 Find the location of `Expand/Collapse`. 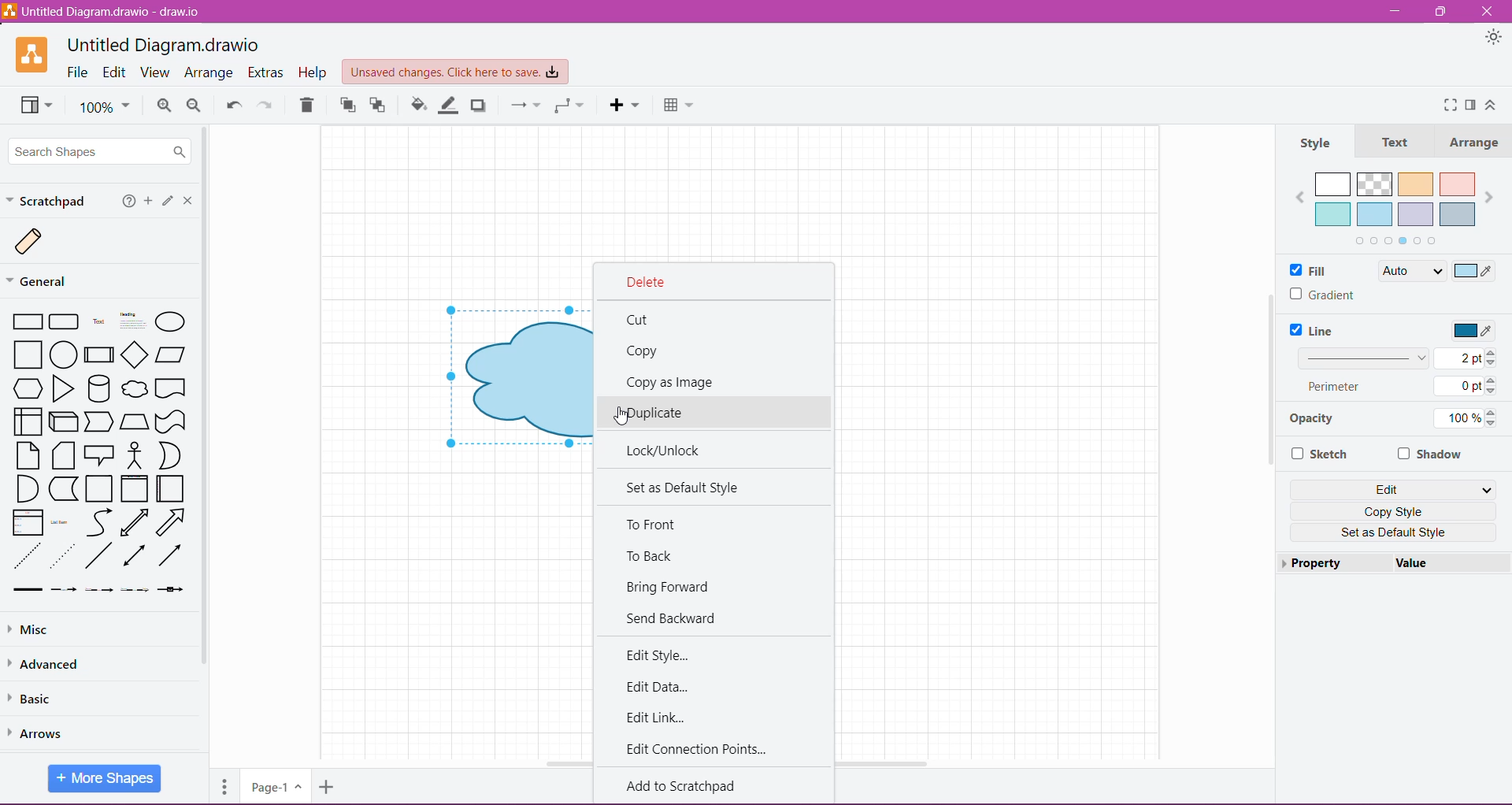

Expand/Collapse is located at coordinates (1492, 107).